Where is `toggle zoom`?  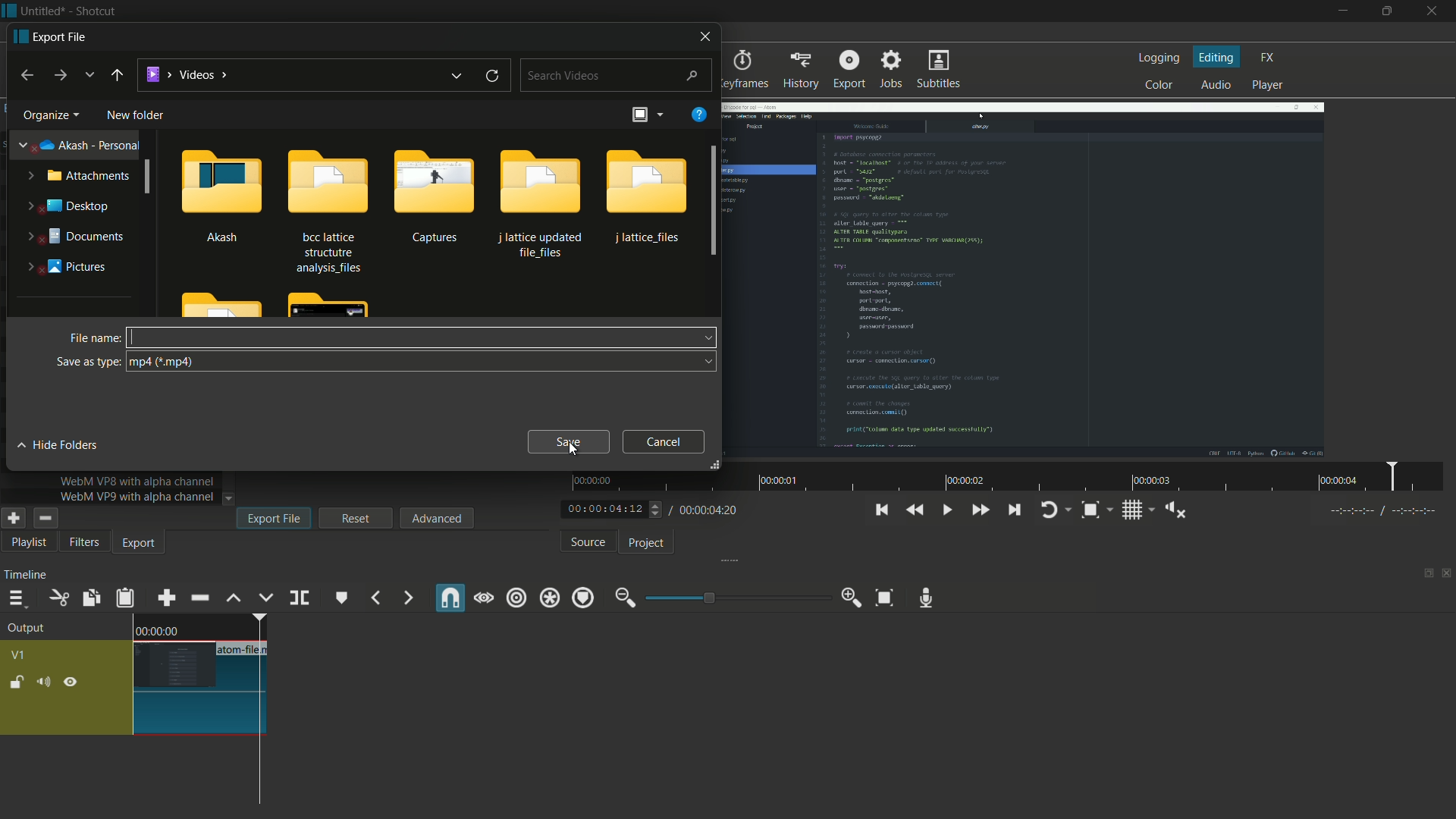
toggle zoom is located at coordinates (1090, 510).